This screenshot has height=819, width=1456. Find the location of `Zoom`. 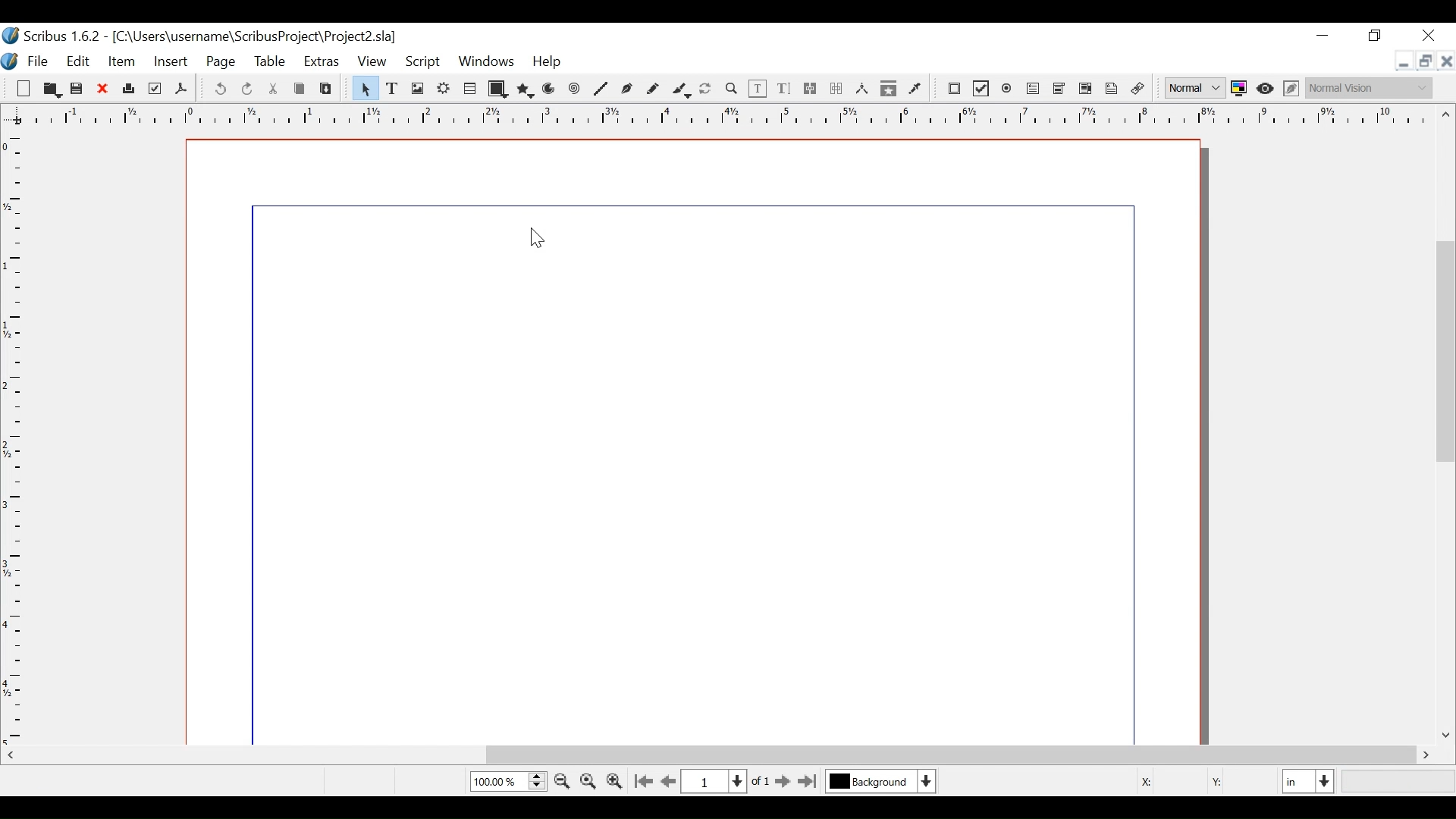

Zoom is located at coordinates (732, 89).